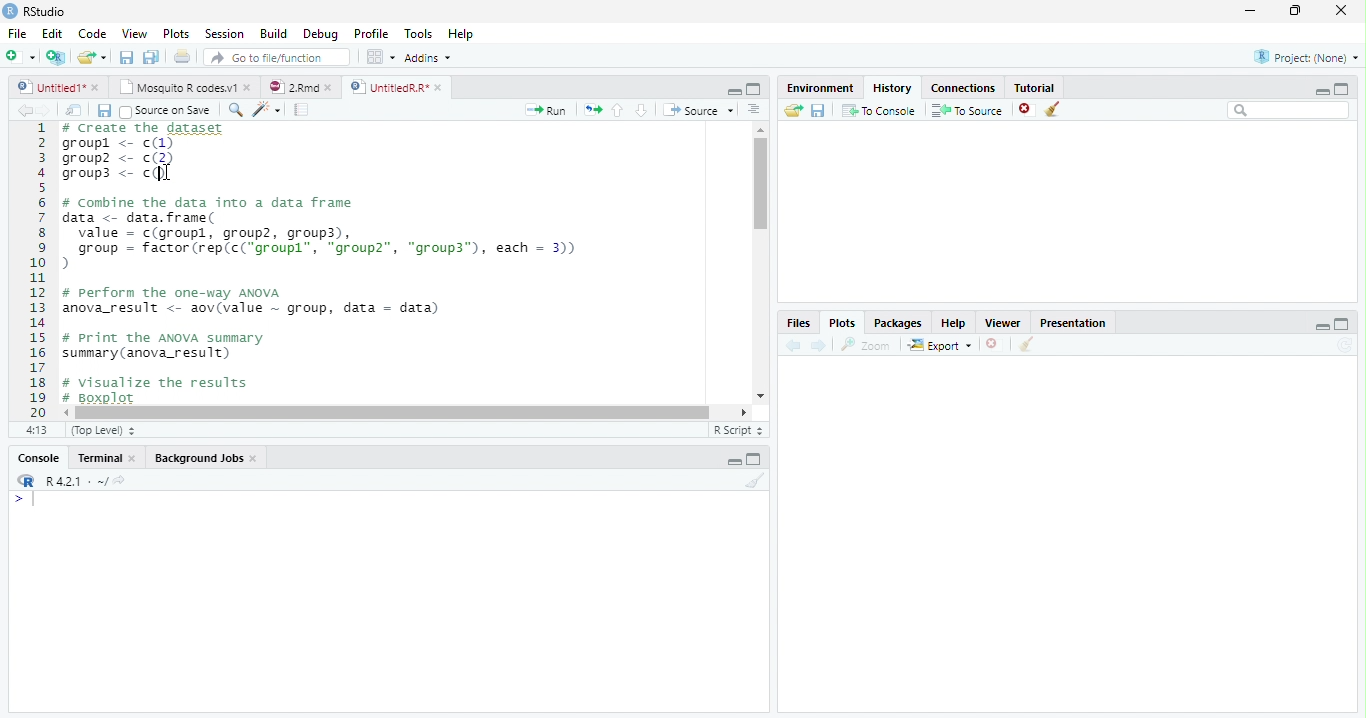 The width and height of the screenshot is (1366, 718). I want to click on Code, so click(90, 34).